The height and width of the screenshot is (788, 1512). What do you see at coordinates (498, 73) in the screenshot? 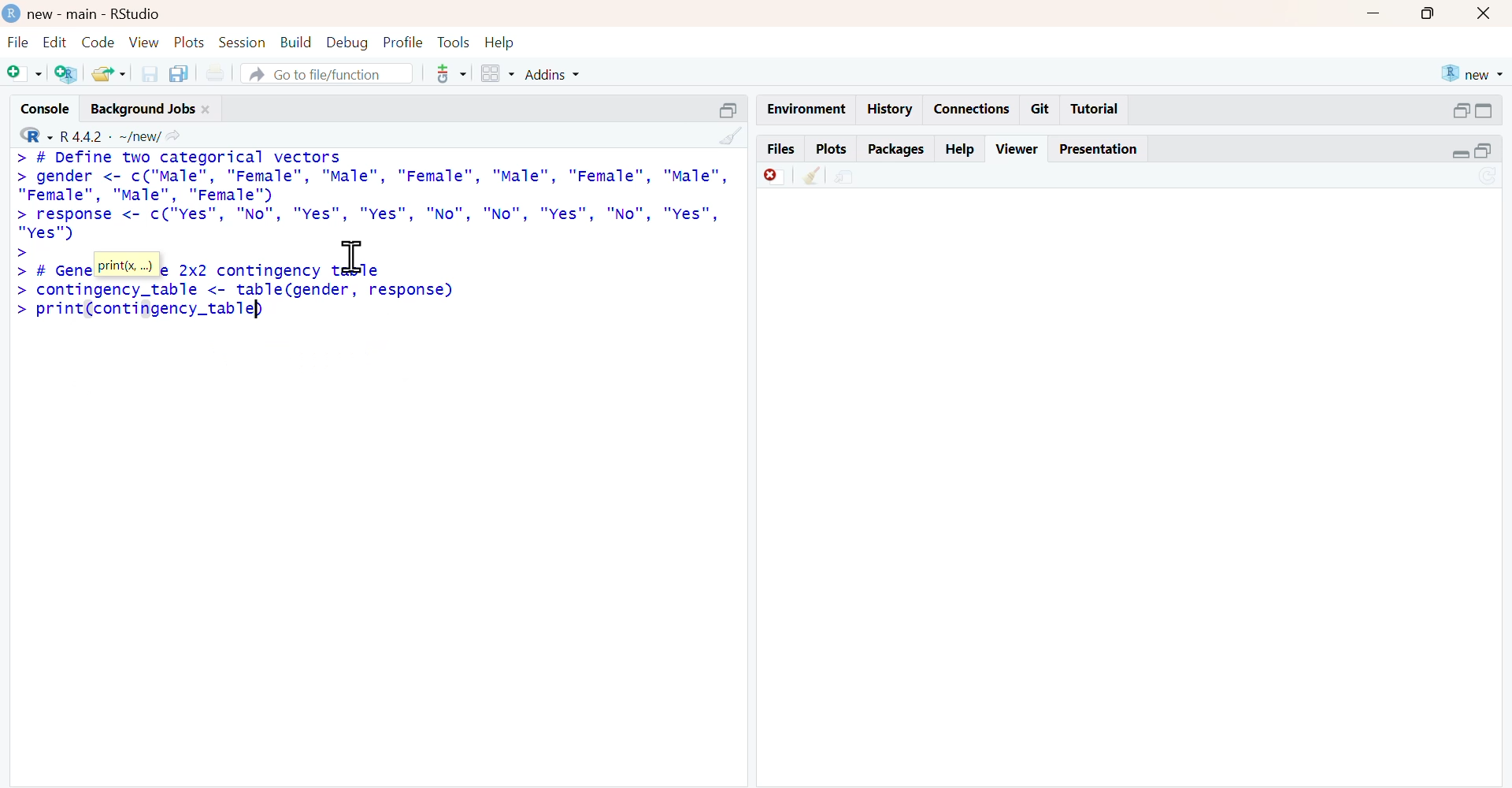
I see `grid` at bounding box center [498, 73].